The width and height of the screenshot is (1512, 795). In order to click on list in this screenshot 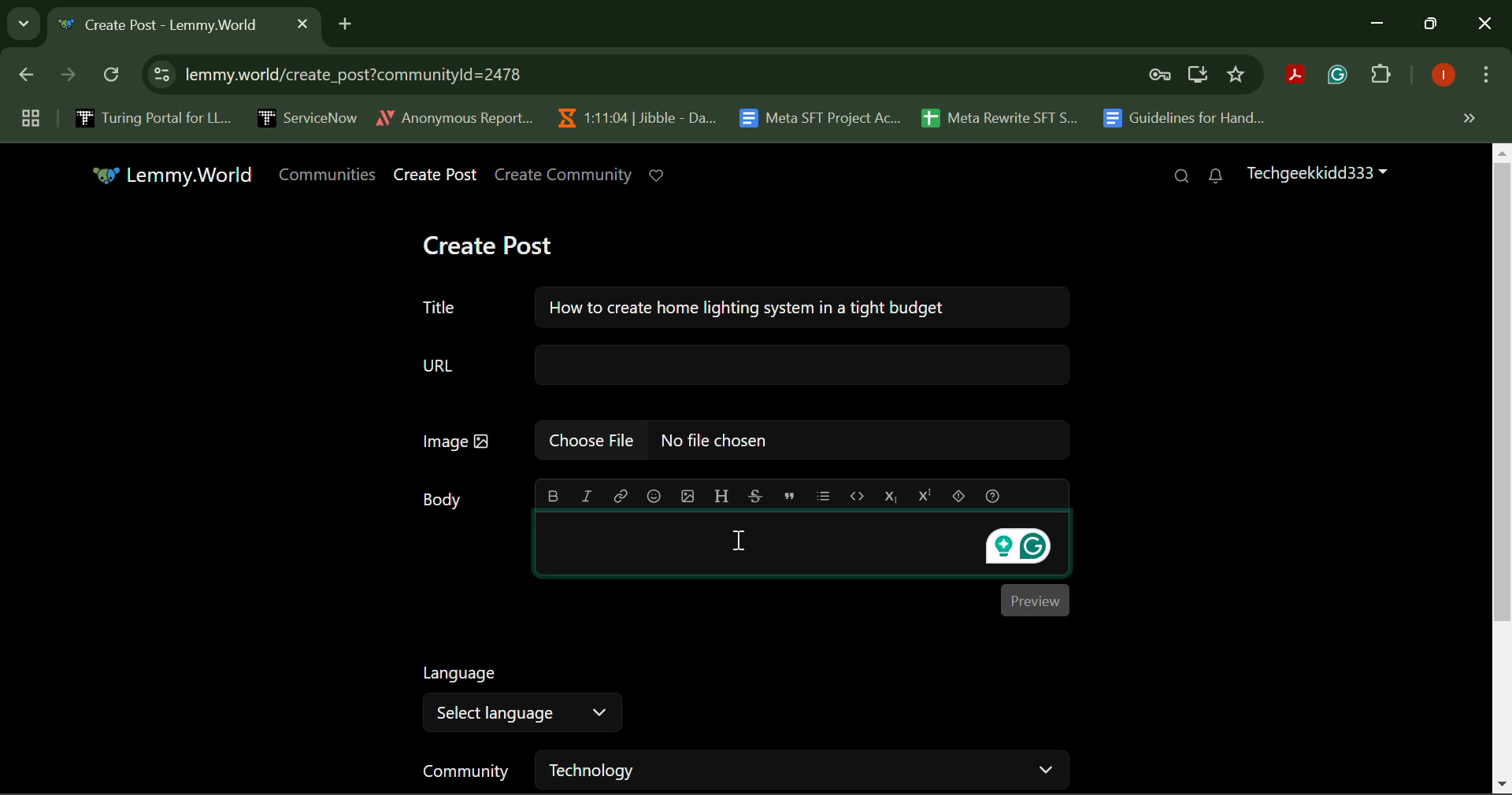, I will do `click(824, 495)`.